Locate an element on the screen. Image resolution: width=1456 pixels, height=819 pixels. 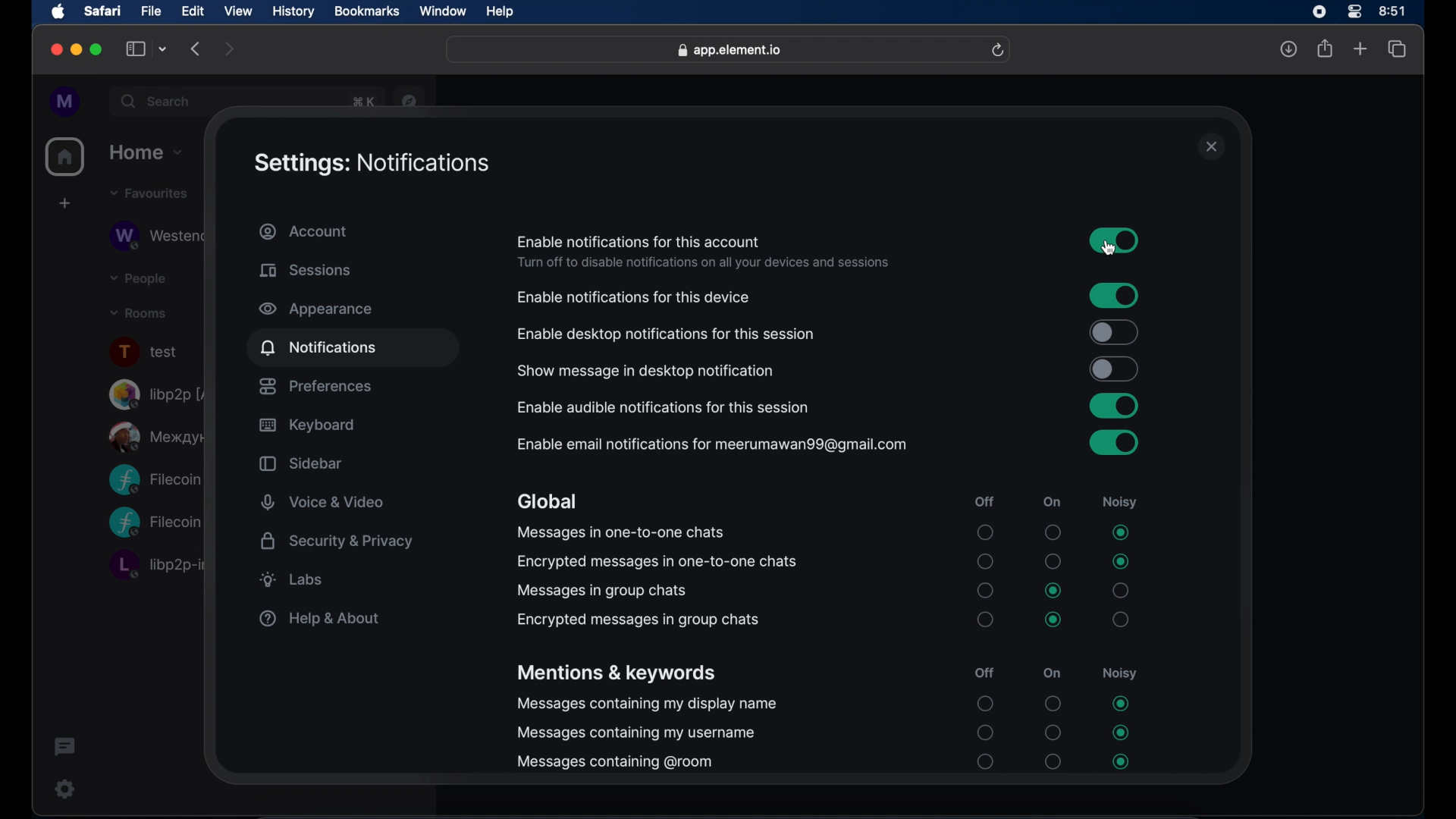
navigator is located at coordinates (410, 102).